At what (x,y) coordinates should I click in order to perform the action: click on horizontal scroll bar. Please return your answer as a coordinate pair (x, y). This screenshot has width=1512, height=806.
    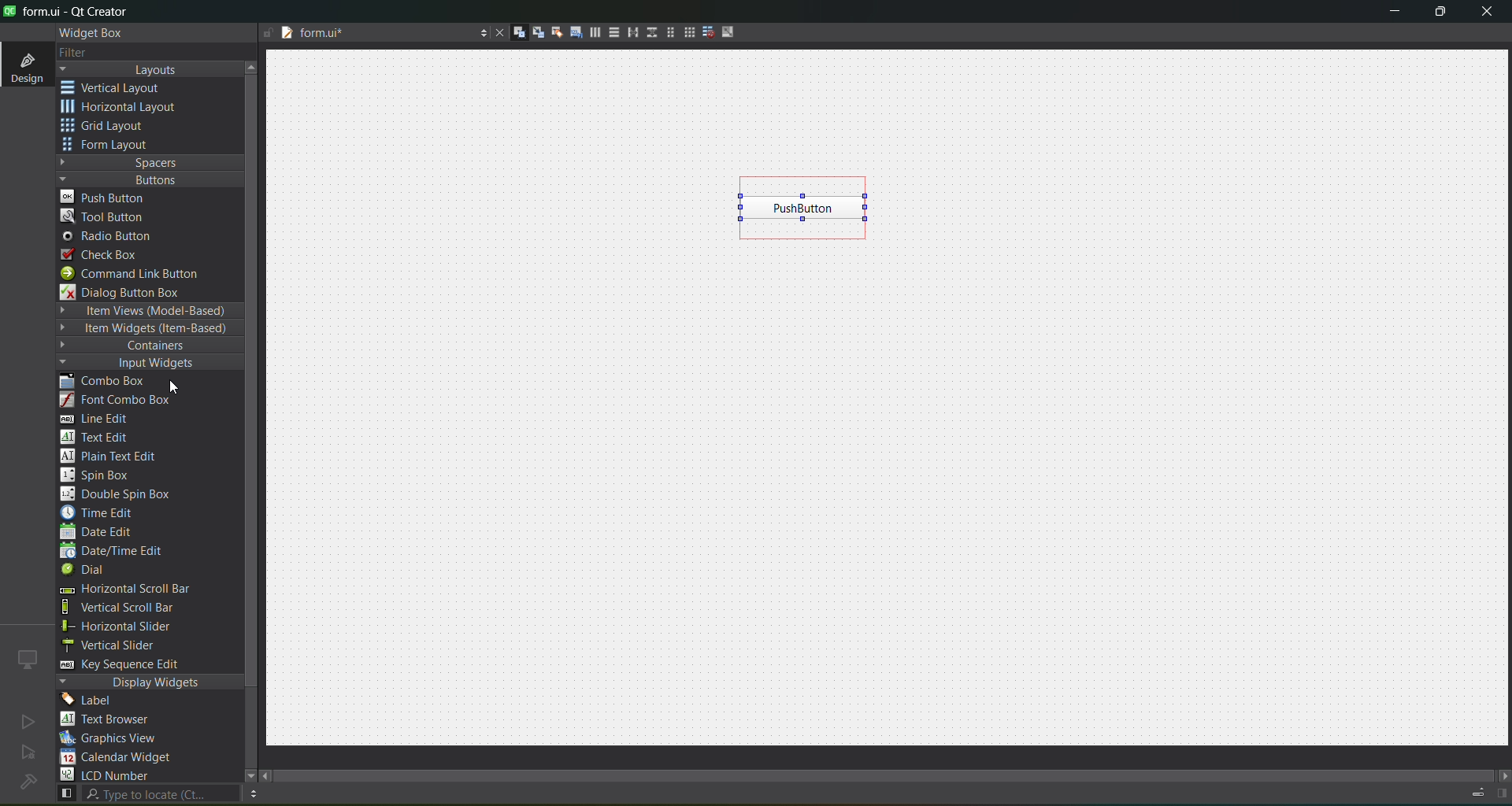
    Looking at the image, I should click on (124, 590).